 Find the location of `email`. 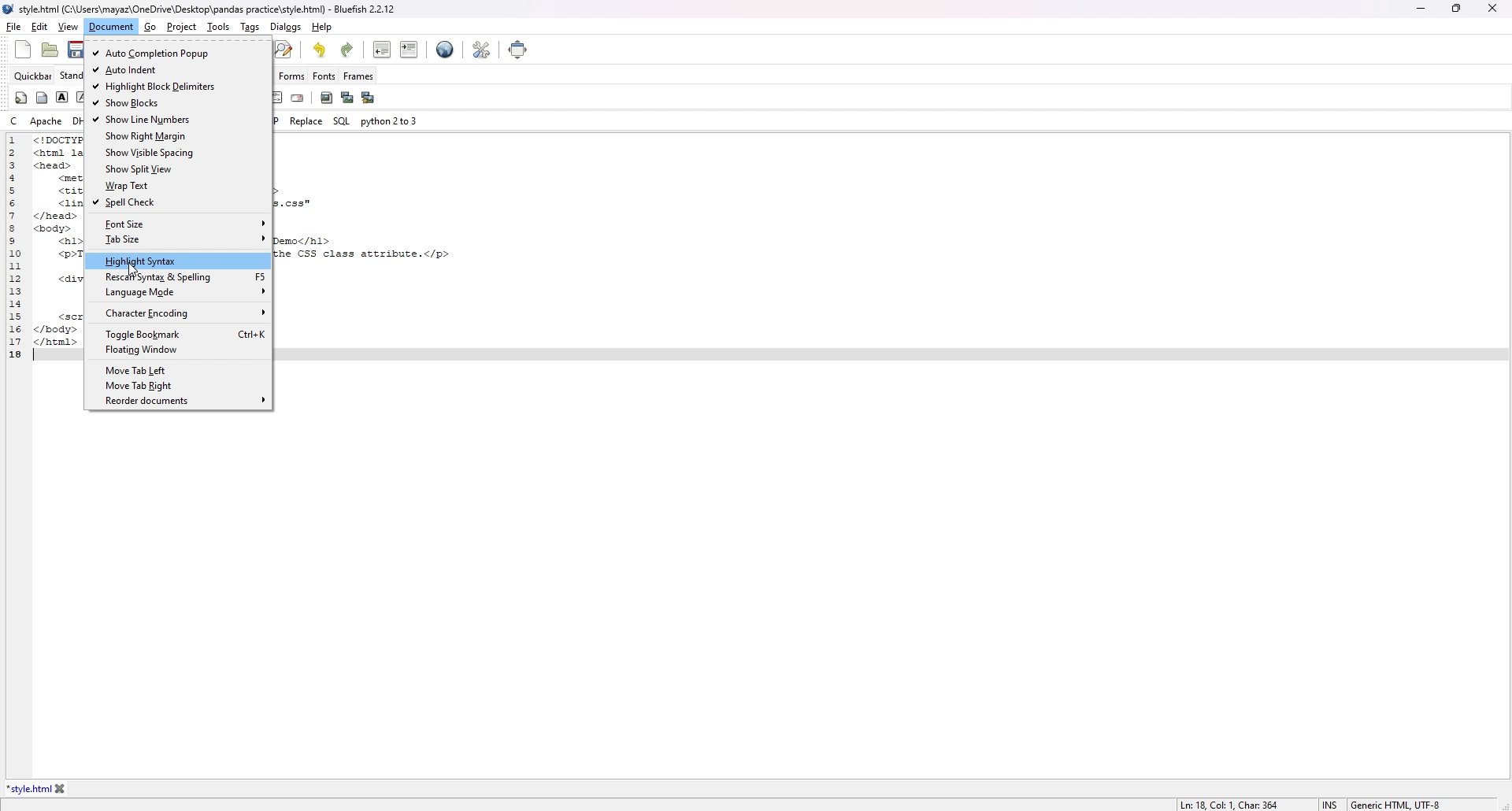

email is located at coordinates (298, 98).